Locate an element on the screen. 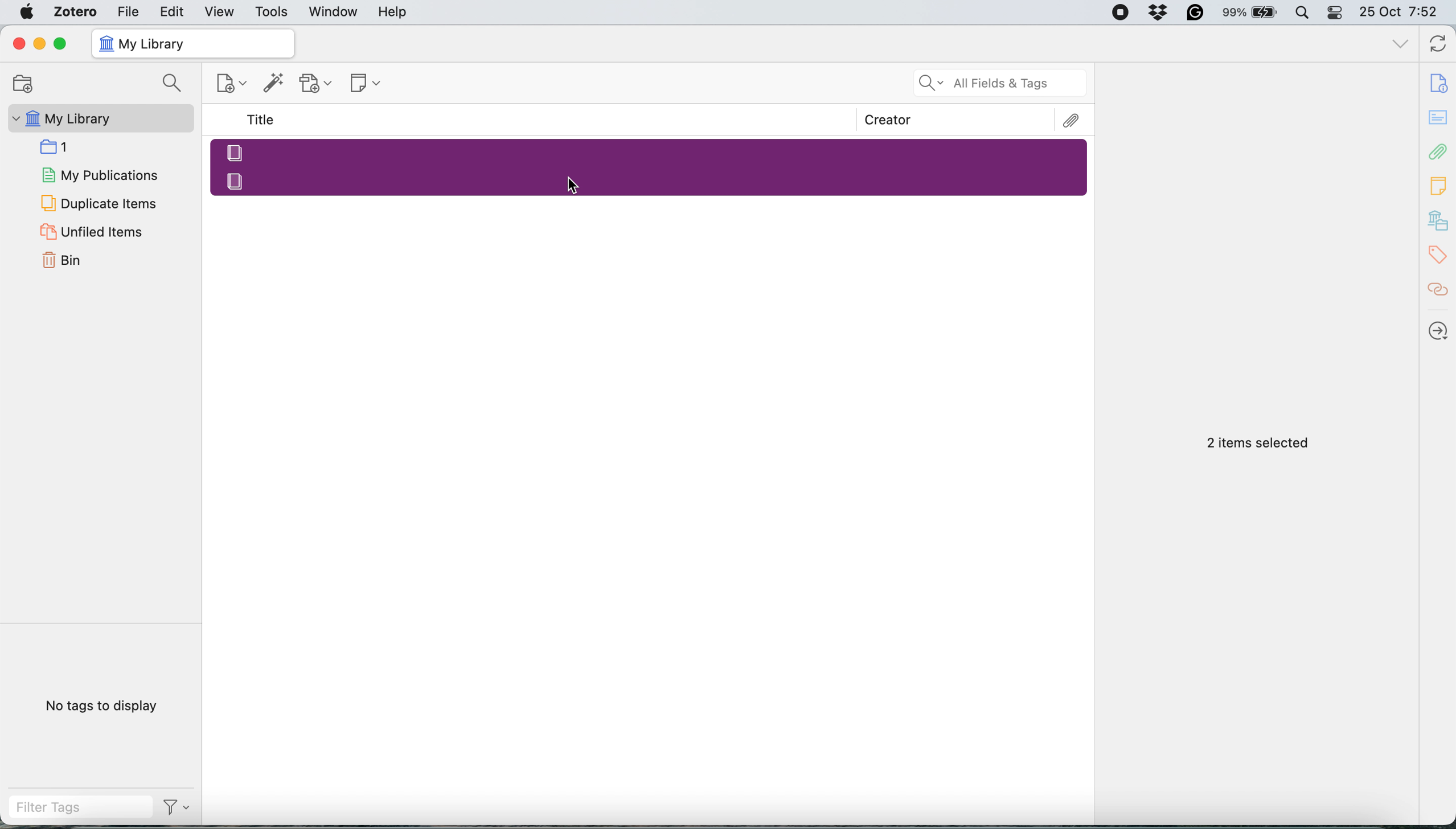 The height and width of the screenshot is (829, 1456). Bin is located at coordinates (76, 258).